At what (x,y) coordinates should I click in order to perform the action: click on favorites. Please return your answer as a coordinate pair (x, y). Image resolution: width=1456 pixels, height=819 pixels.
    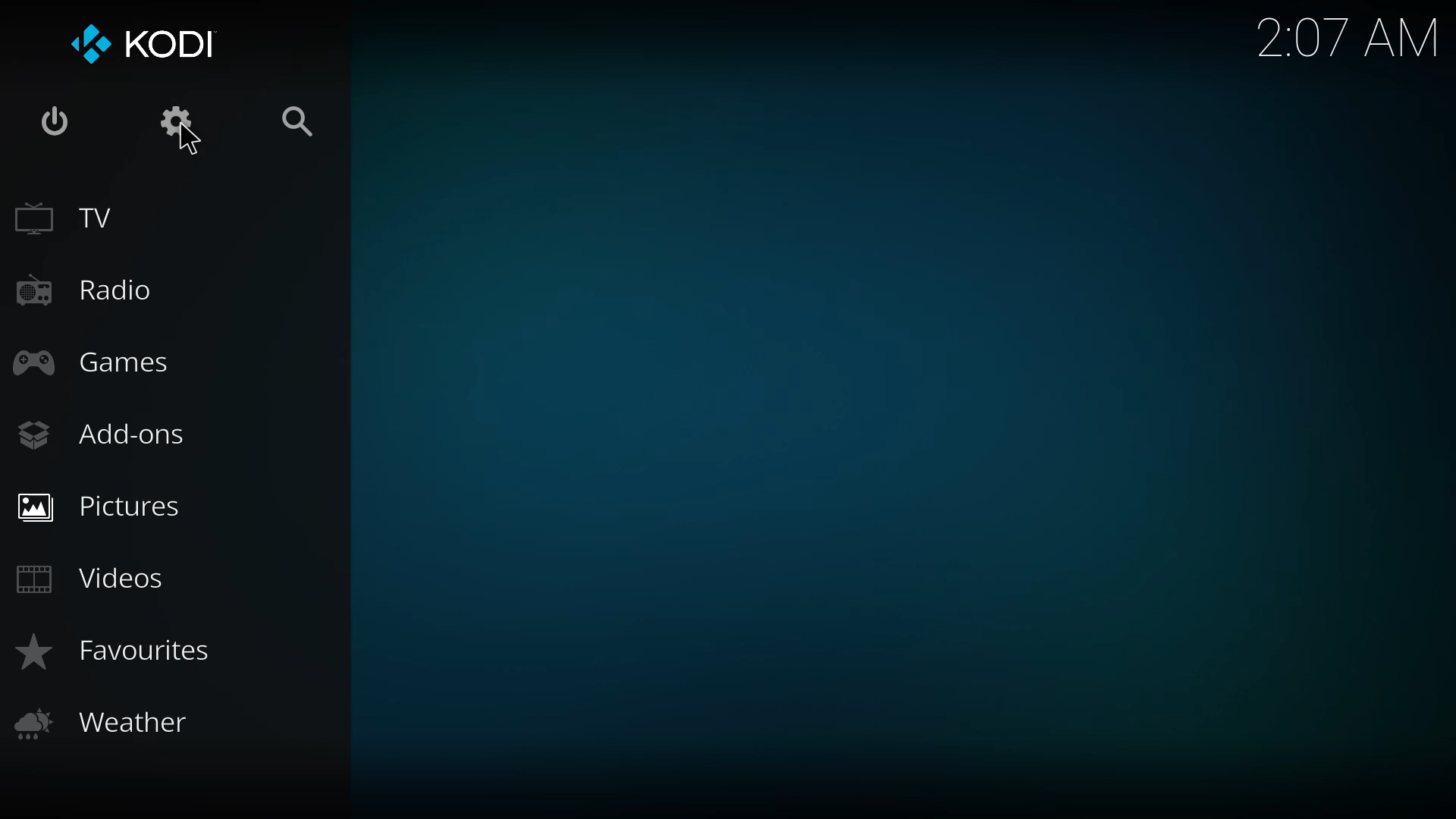
    Looking at the image, I should click on (124, 648).